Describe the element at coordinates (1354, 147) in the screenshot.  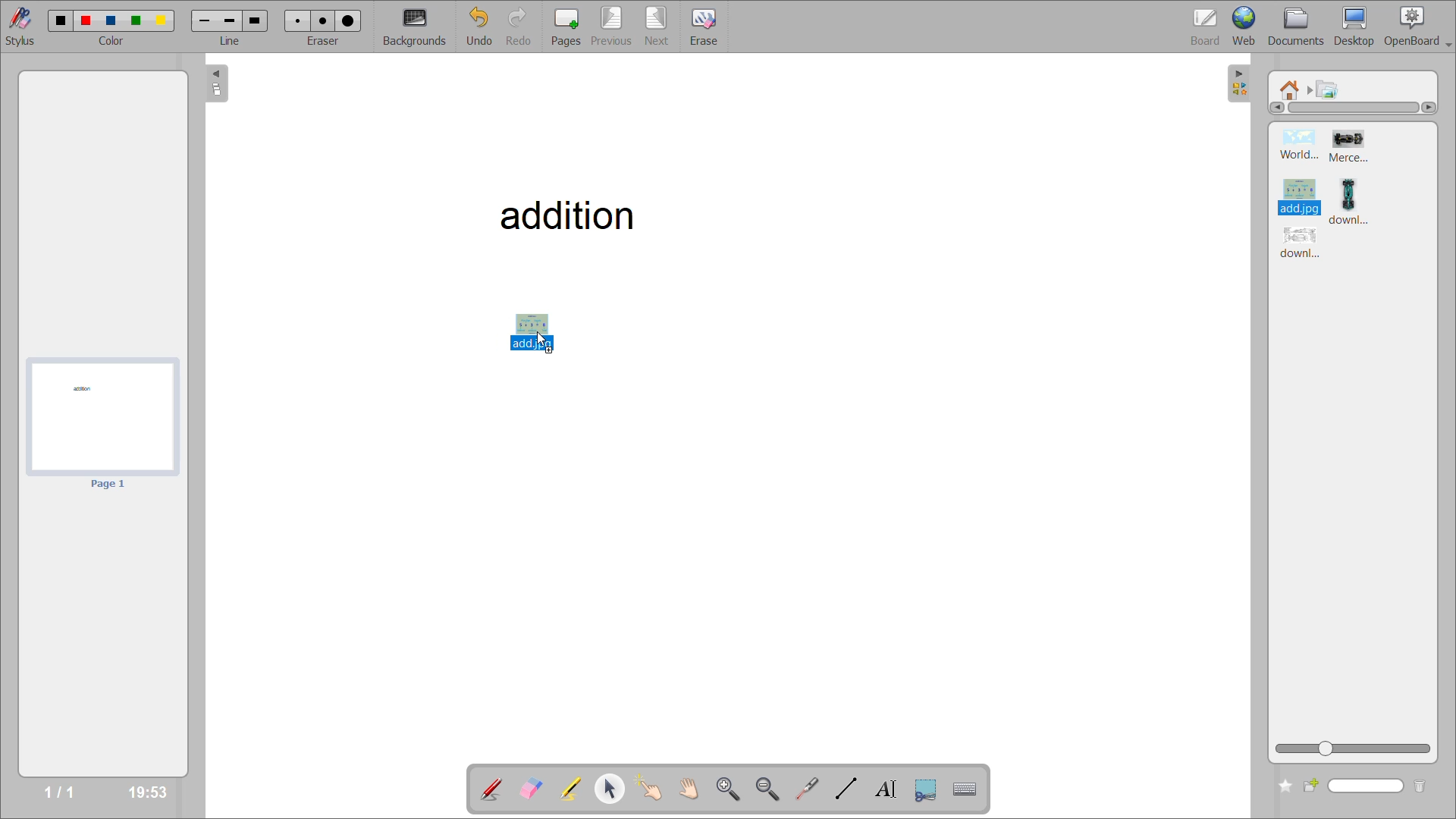
I see `image 2` at that location.